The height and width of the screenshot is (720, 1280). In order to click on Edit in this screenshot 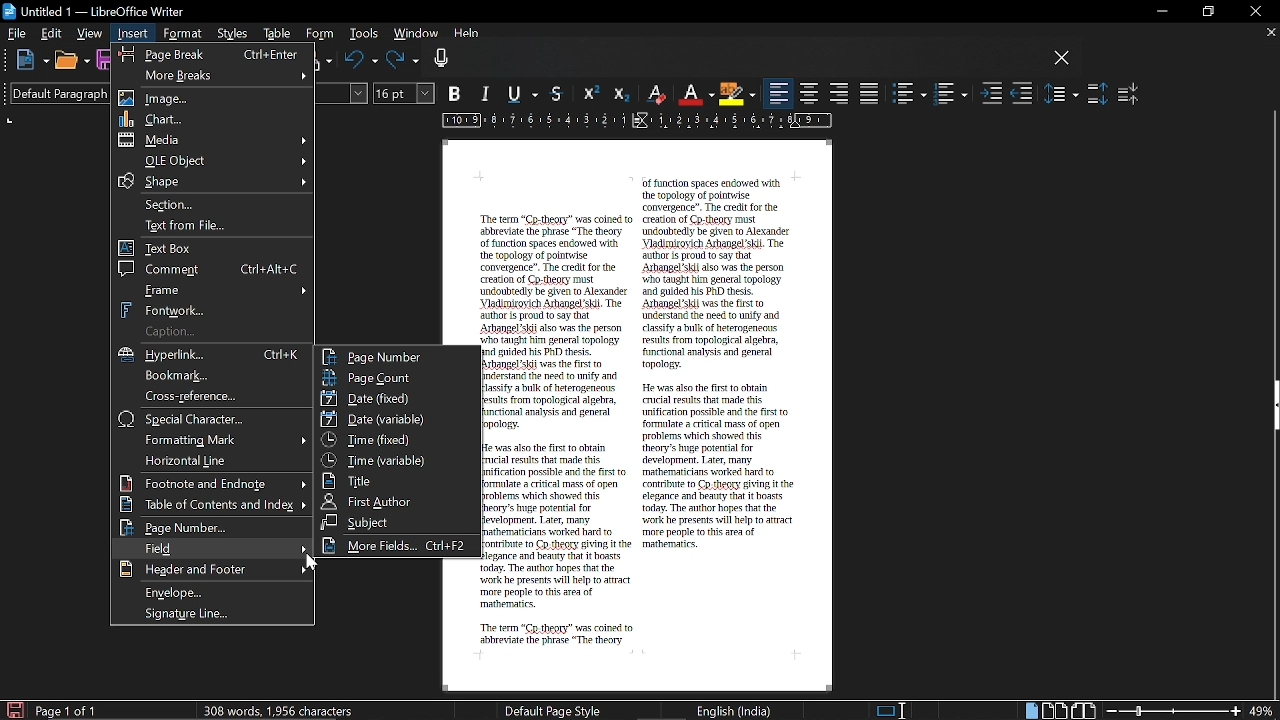, I will do `click(53, 33)`.